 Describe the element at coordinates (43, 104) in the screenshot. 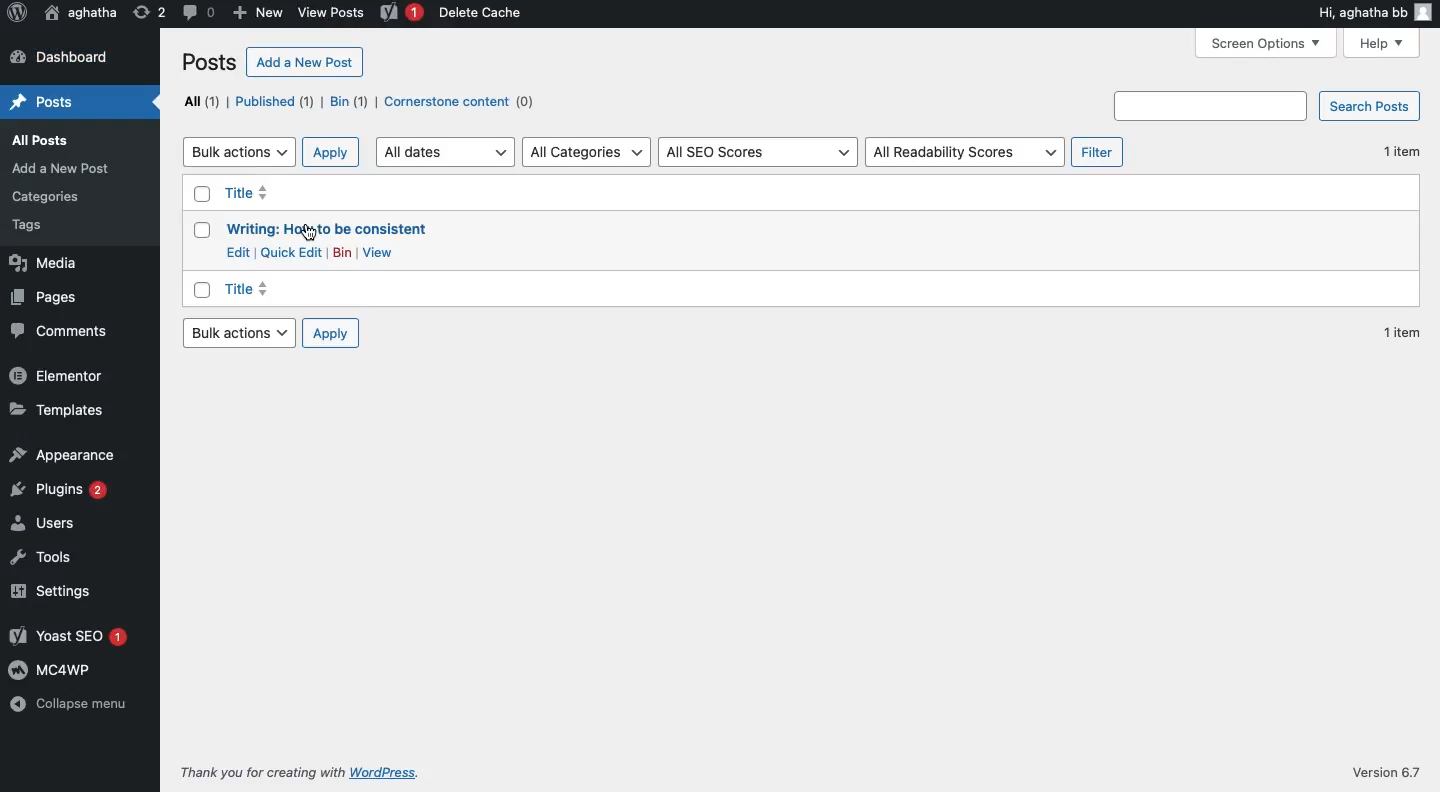

I see `Posts` at that location.